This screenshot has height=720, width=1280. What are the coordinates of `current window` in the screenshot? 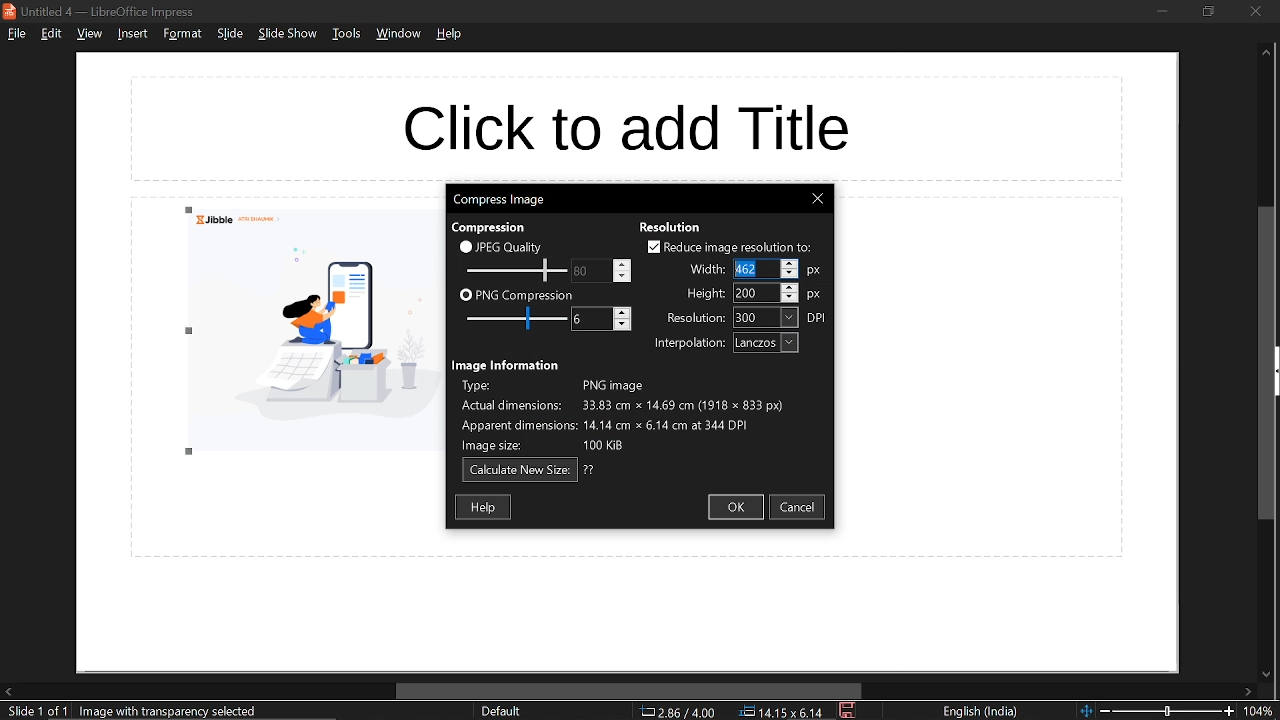 It's located at (104, 11).